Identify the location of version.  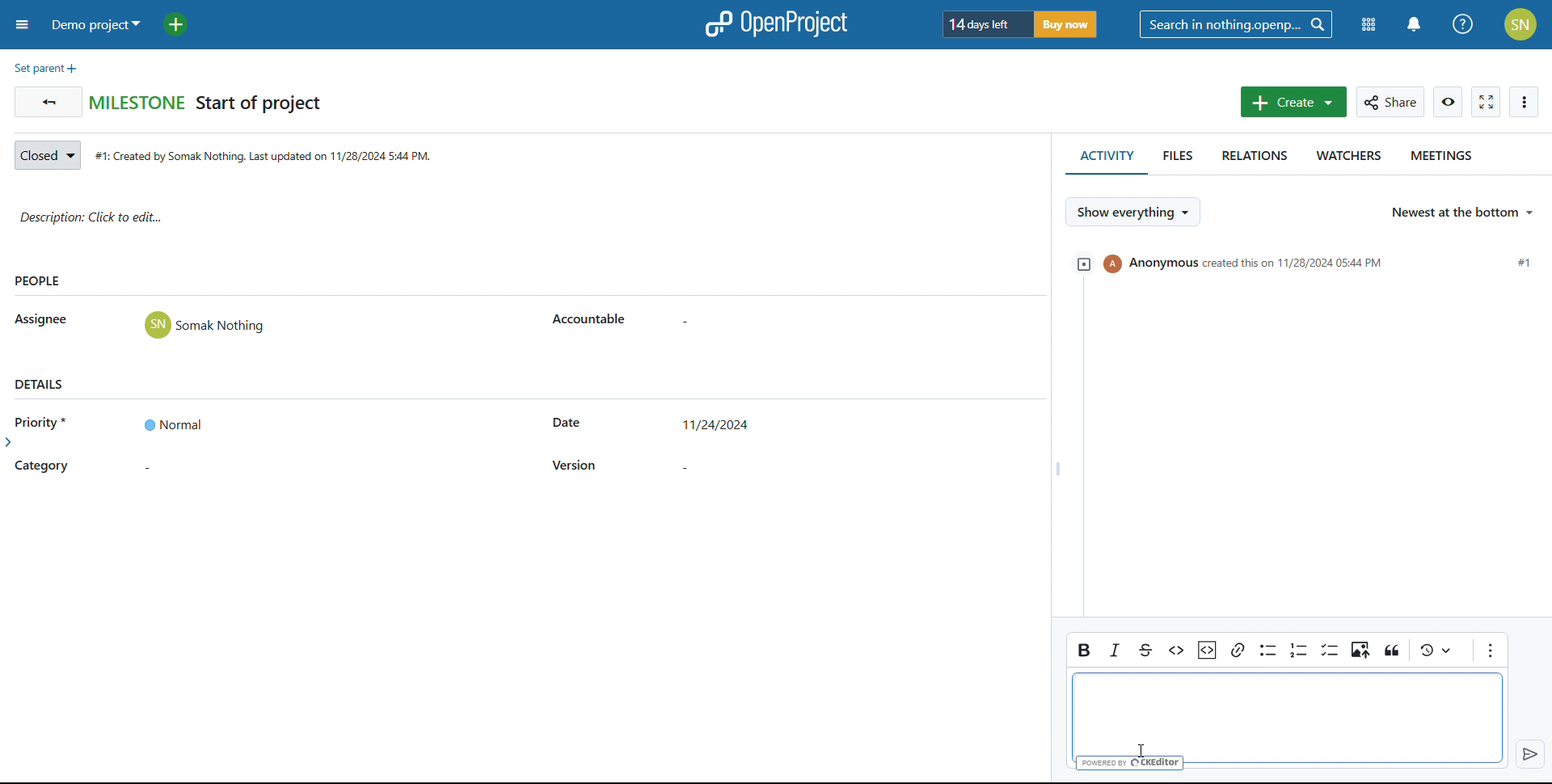
(576, 466).